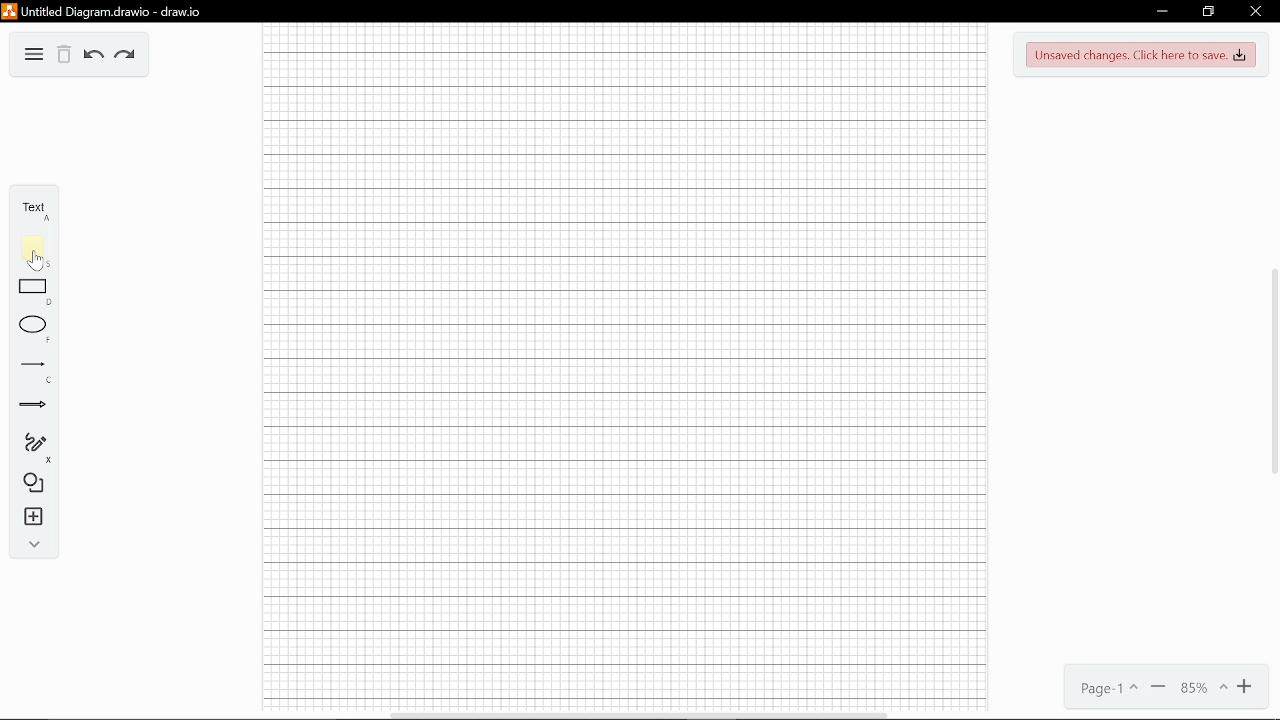  I want to click on Undo, so click(94, 56).